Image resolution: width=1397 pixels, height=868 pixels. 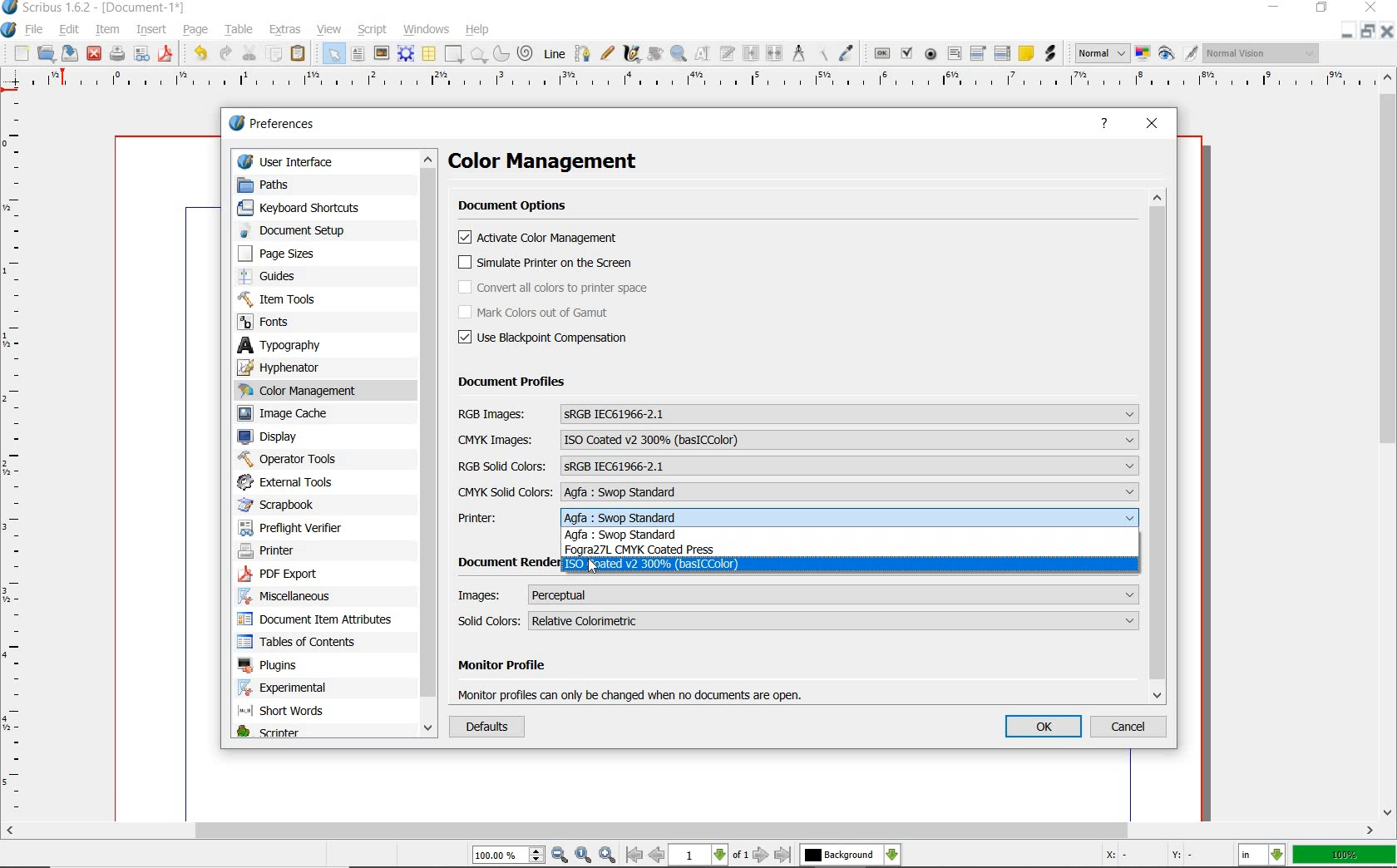 What do you see at coordinates (143, 52) in the screenshot?
I see `preflight verifier` at bounding box center [143, 52].